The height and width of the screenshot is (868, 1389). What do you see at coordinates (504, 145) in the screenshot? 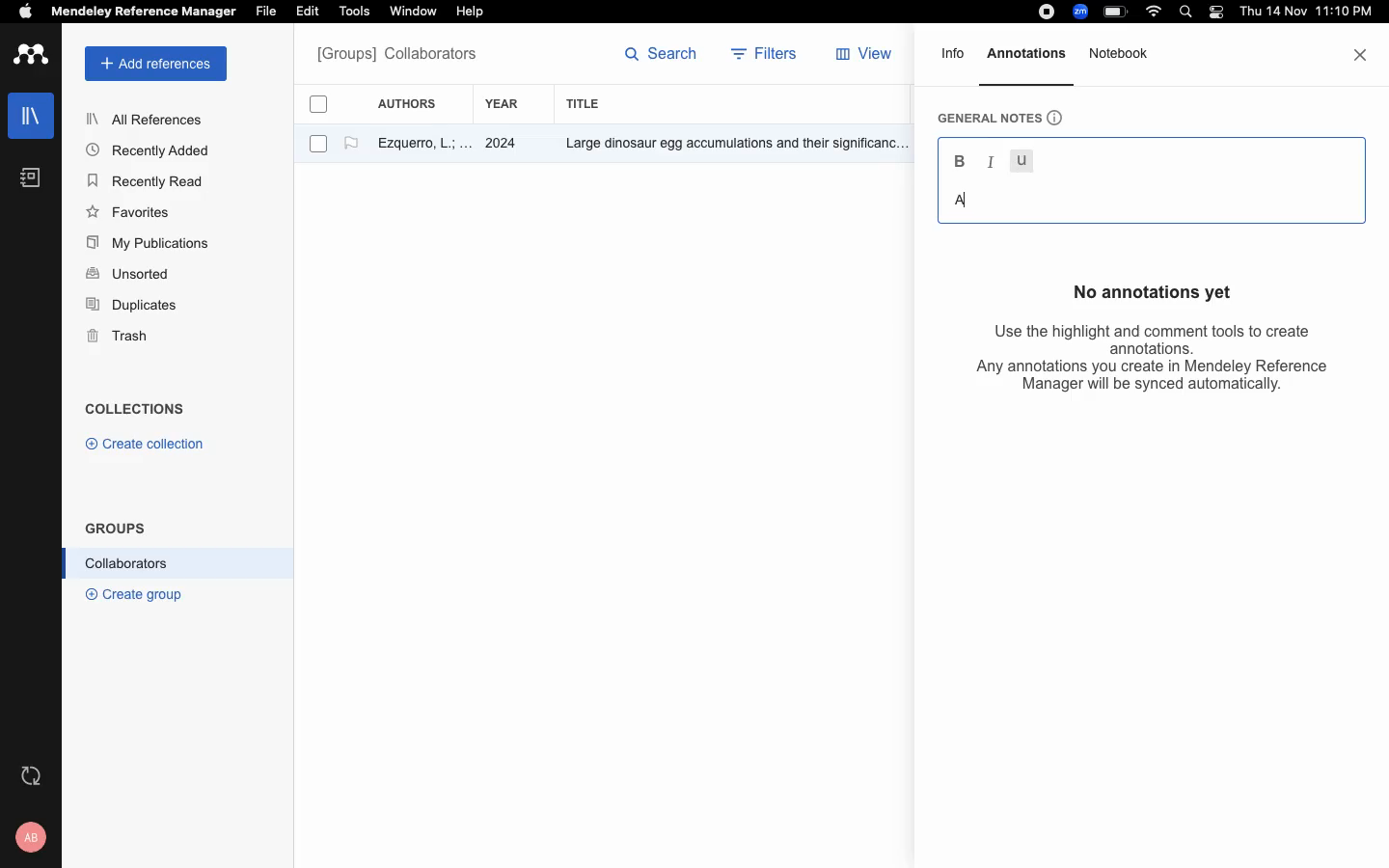
I see `2024` at bounding box center [504, 145].